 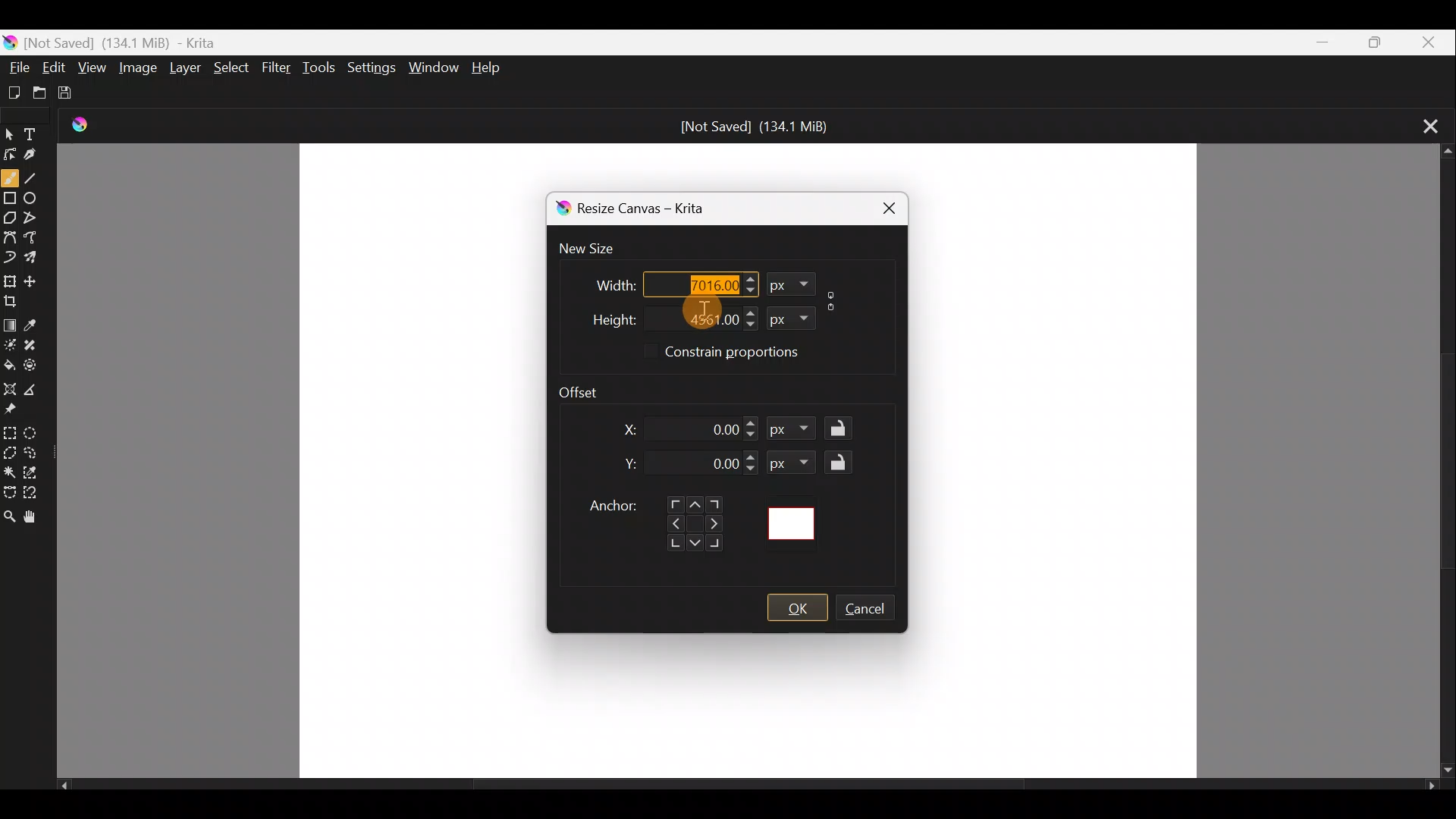 I want to click on Close, so click(x=1428, y=42).